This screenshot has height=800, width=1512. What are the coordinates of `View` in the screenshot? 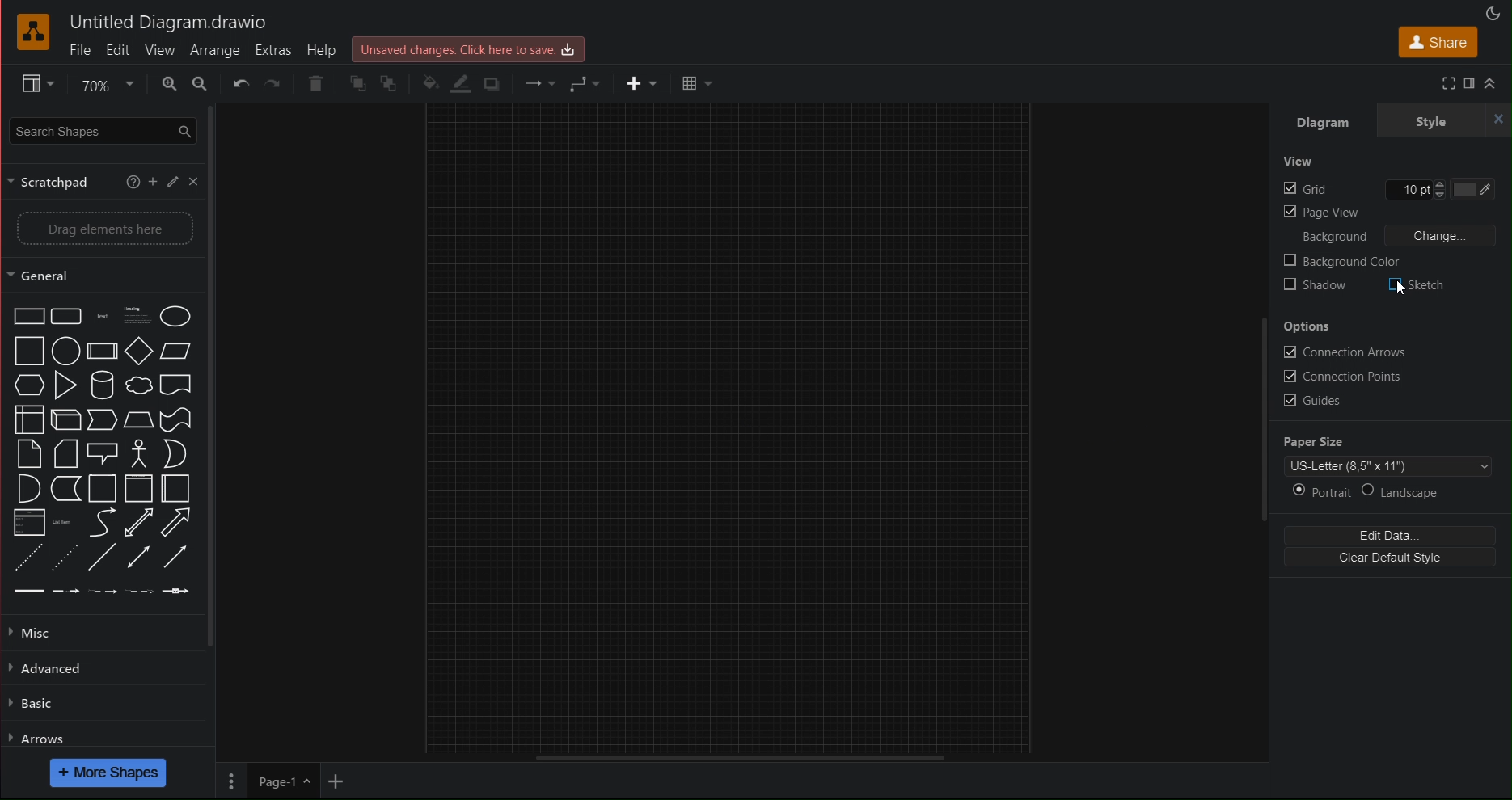 It's located at (161, 52).